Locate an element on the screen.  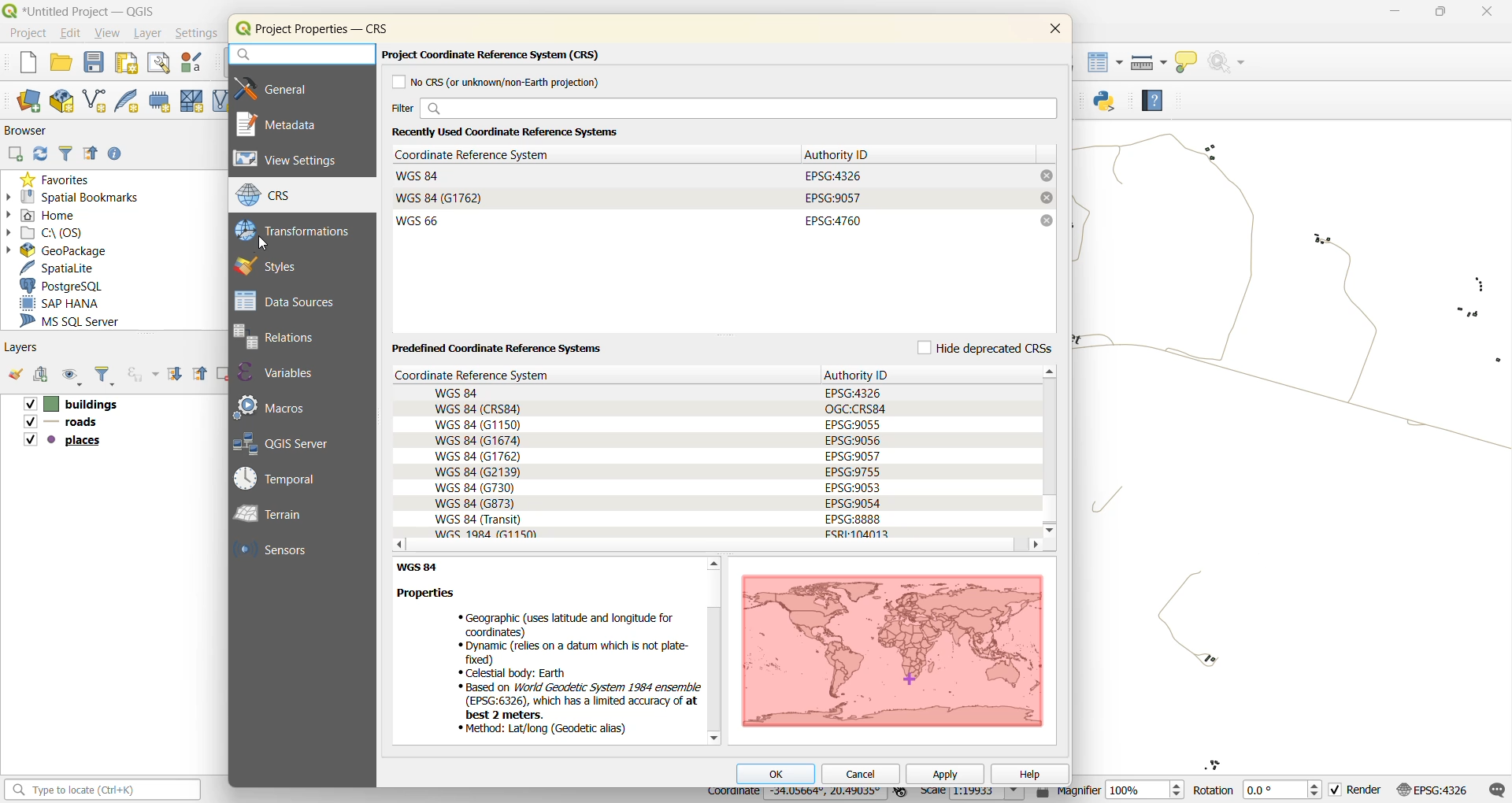
close is located at coordinates (1052, 31).